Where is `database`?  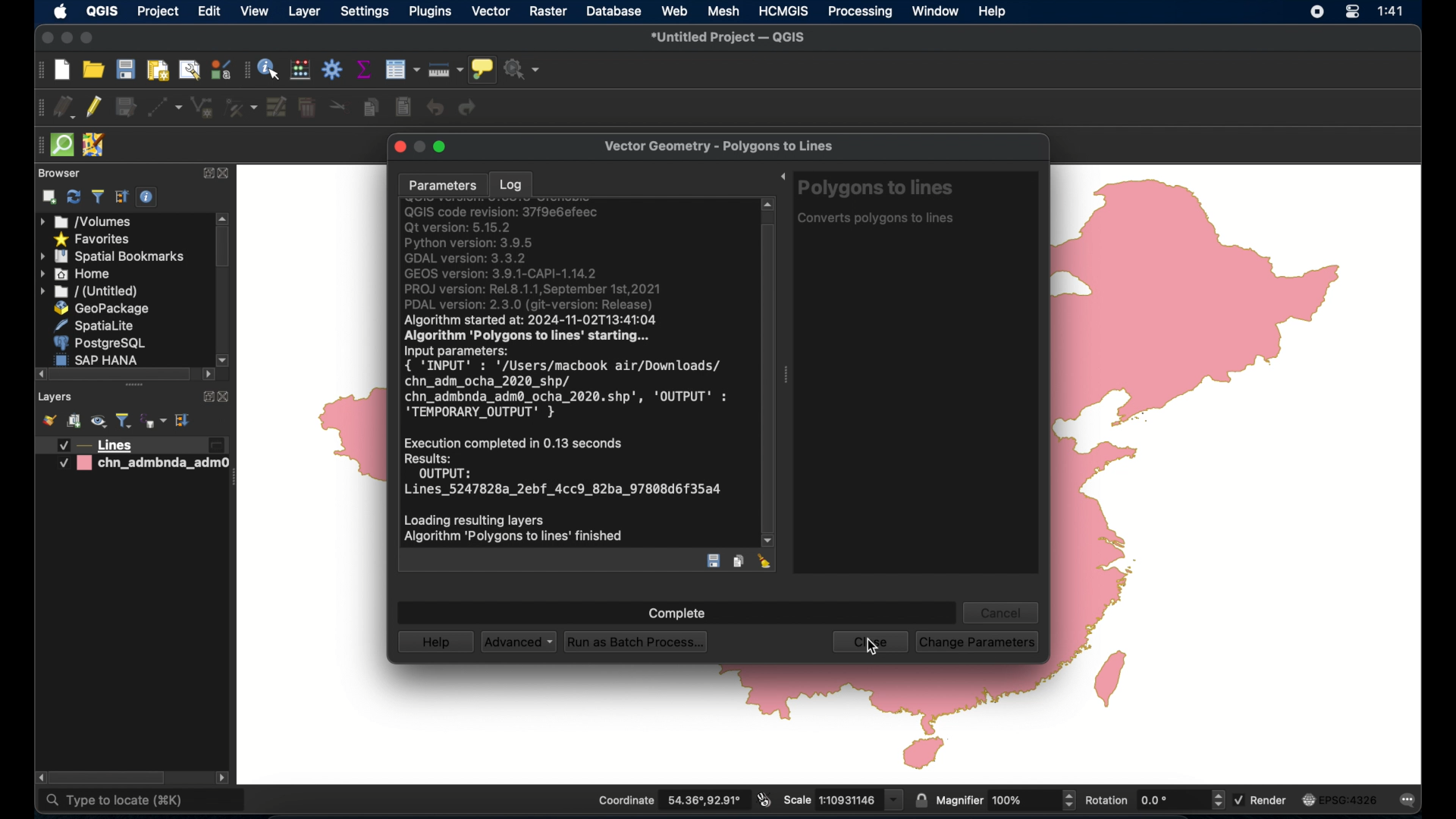 database is located at coordinates (613, 11).